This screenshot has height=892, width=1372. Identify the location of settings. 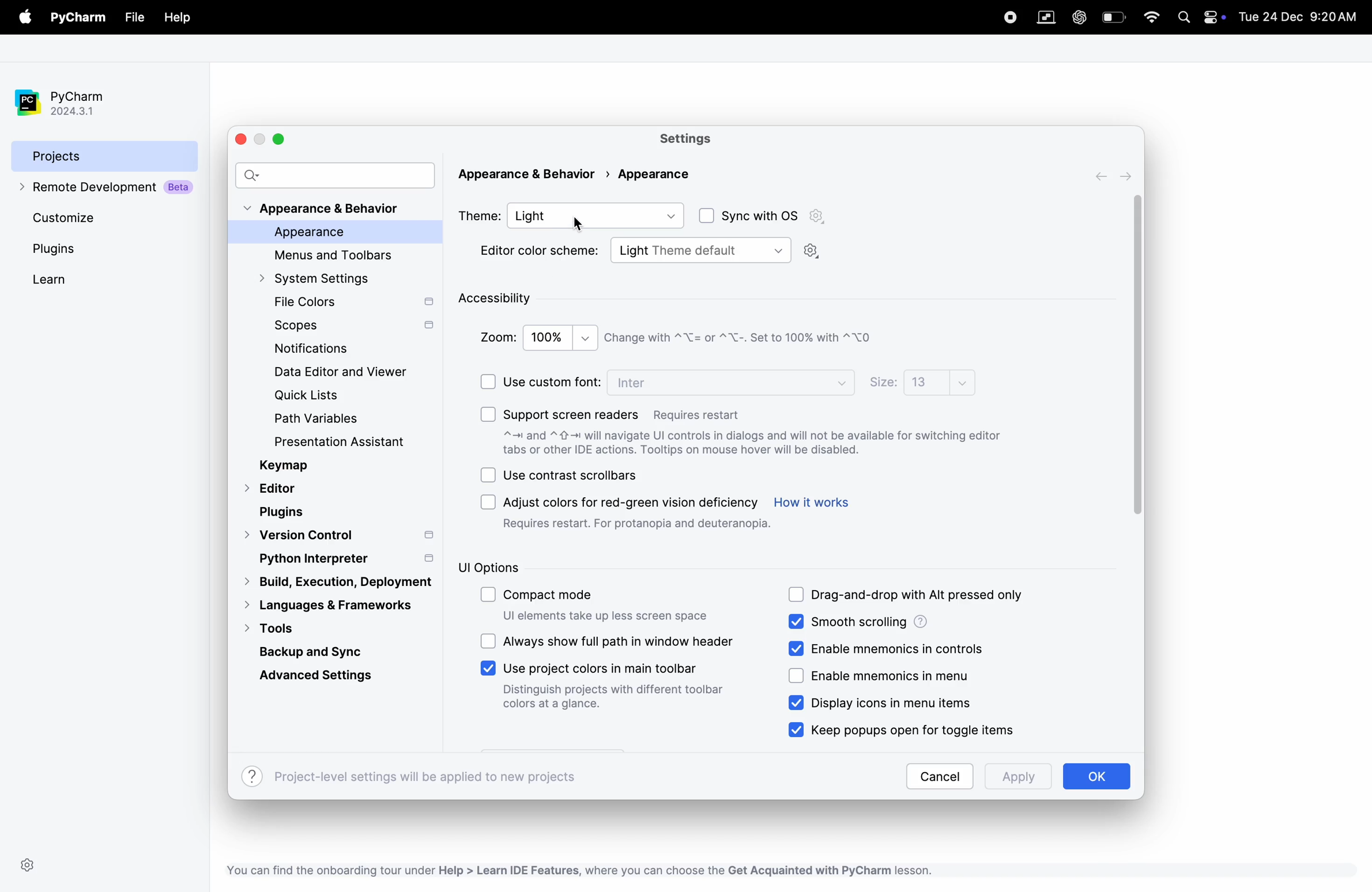
(691, 139).